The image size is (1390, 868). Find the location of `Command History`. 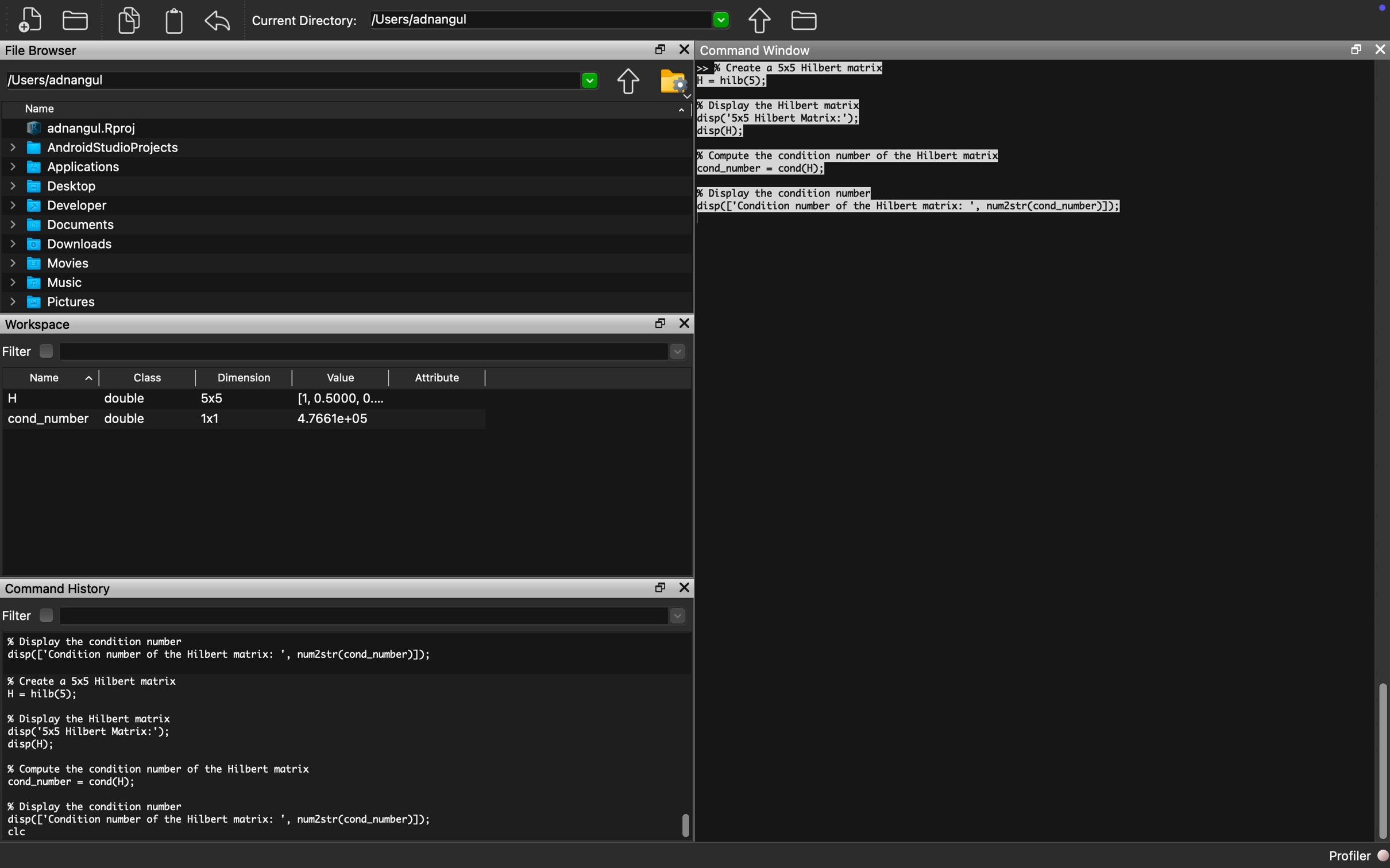

Command History is located at coordinates (59, 588).